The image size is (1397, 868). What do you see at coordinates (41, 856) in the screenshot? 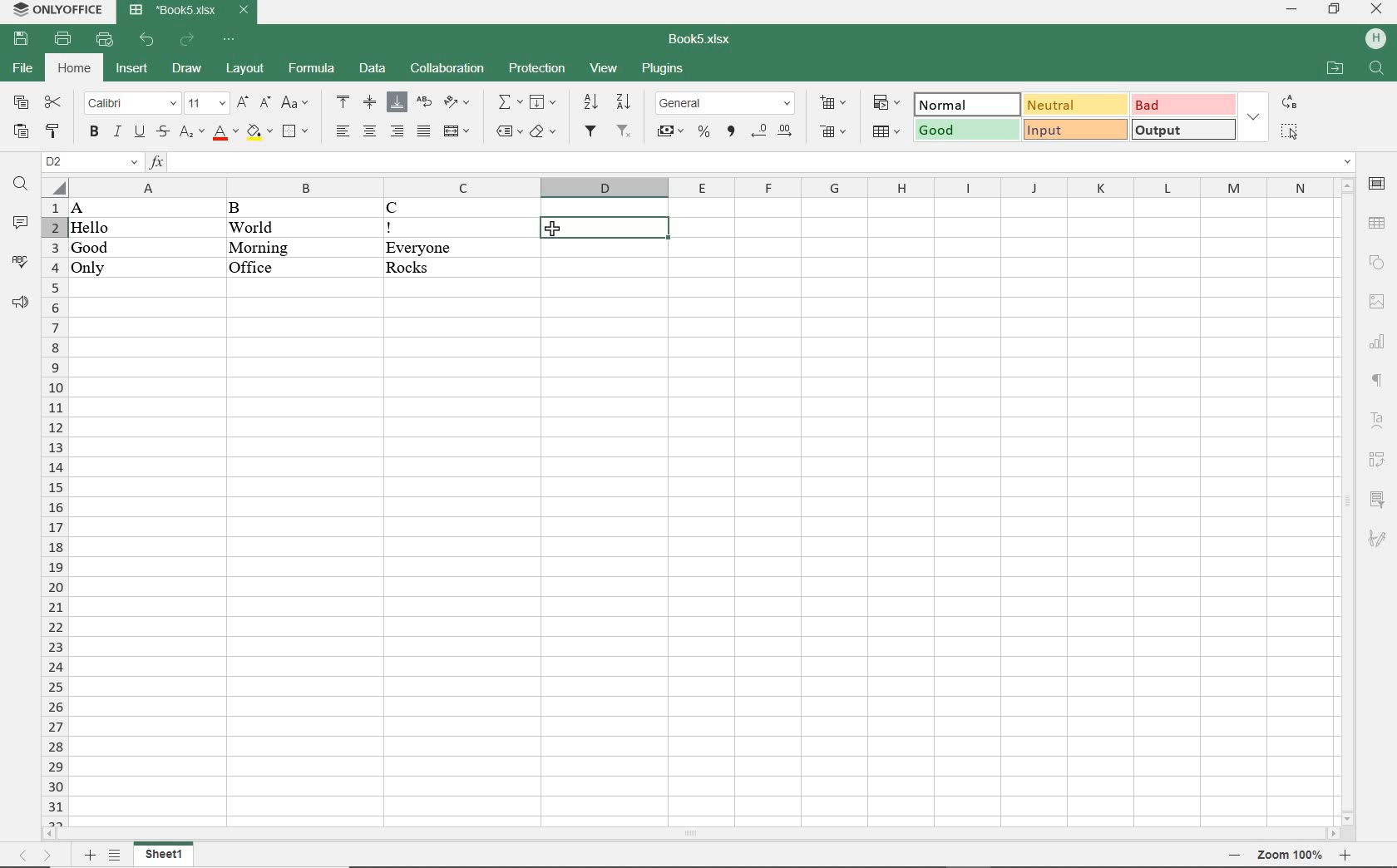
I see `move sheets` at bounding box center [41, 856].